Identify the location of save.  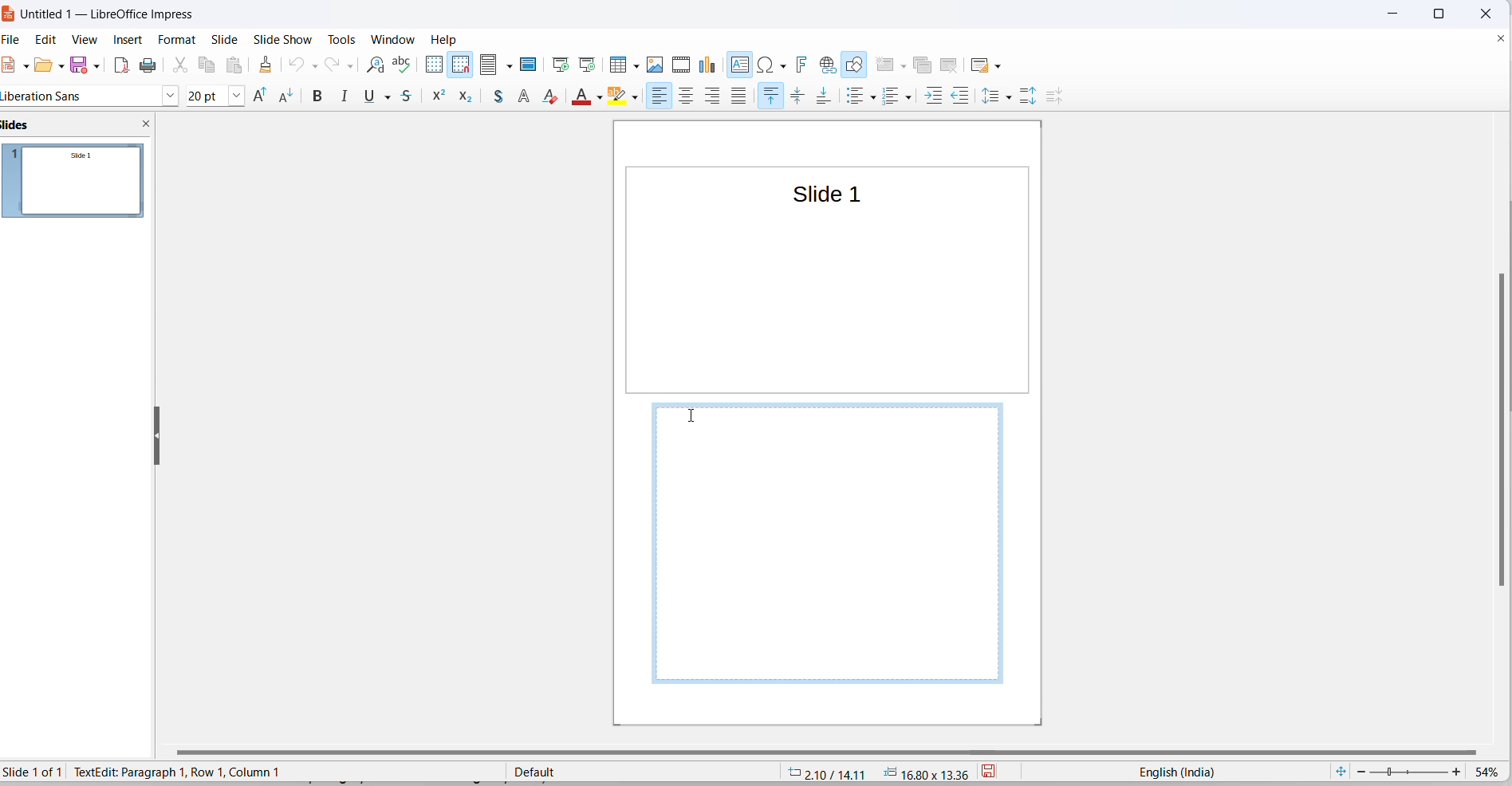
(993, 772).